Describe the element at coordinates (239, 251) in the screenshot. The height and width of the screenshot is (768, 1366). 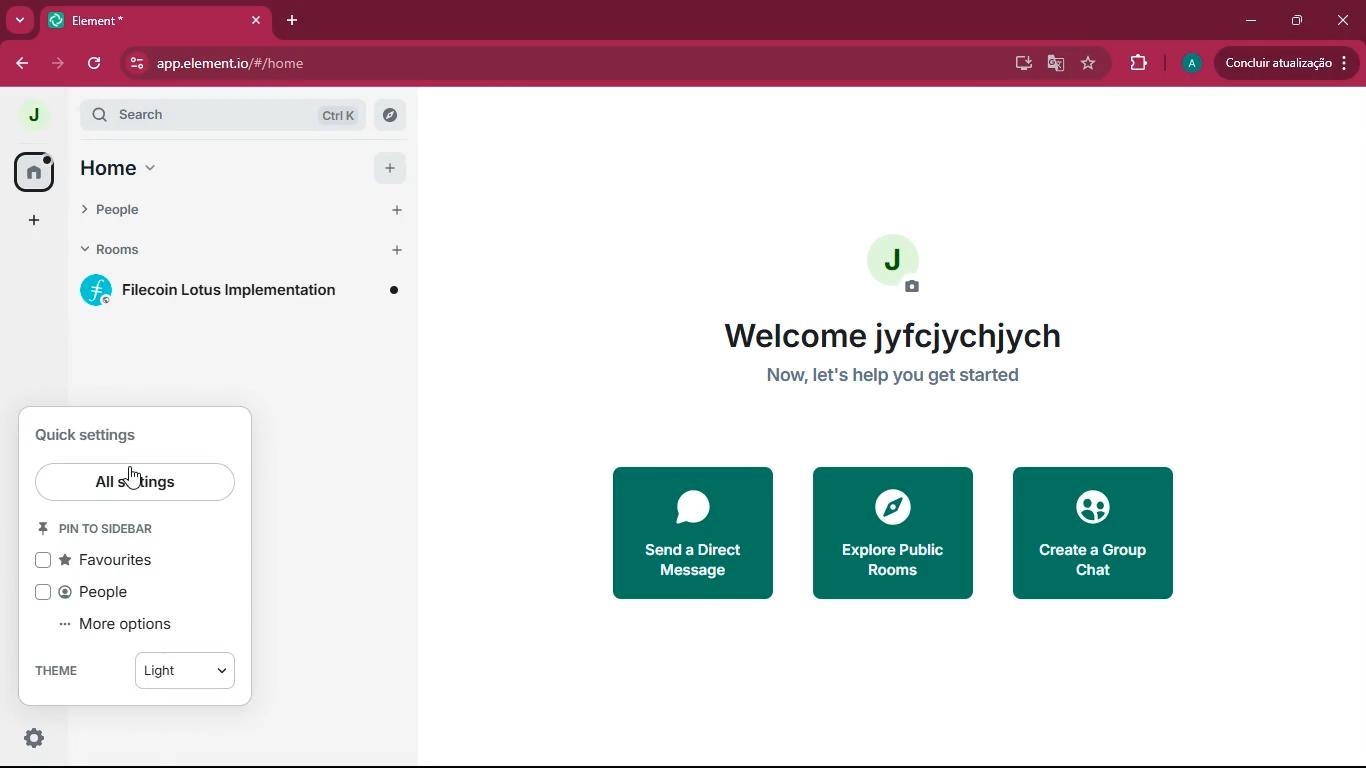
I see `rooms` at that location.